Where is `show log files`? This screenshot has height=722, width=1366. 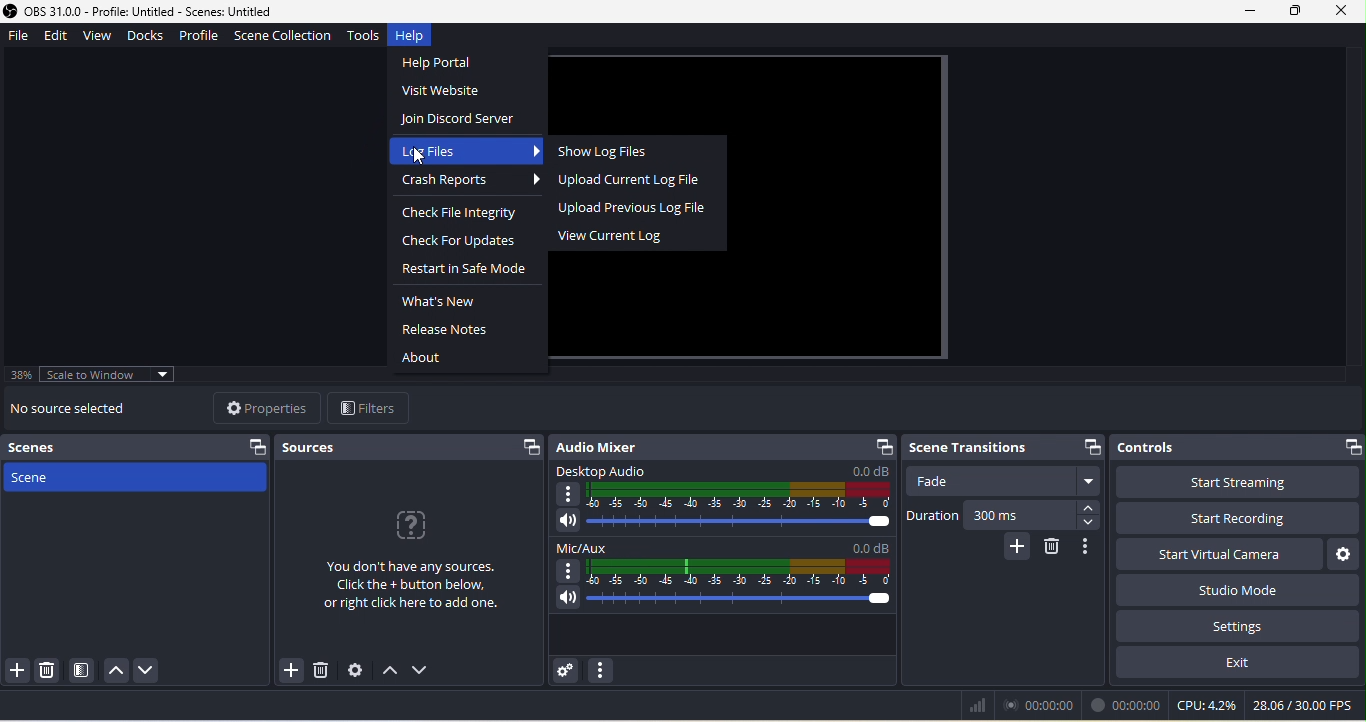 show log files is located at coordinates (614, 153).